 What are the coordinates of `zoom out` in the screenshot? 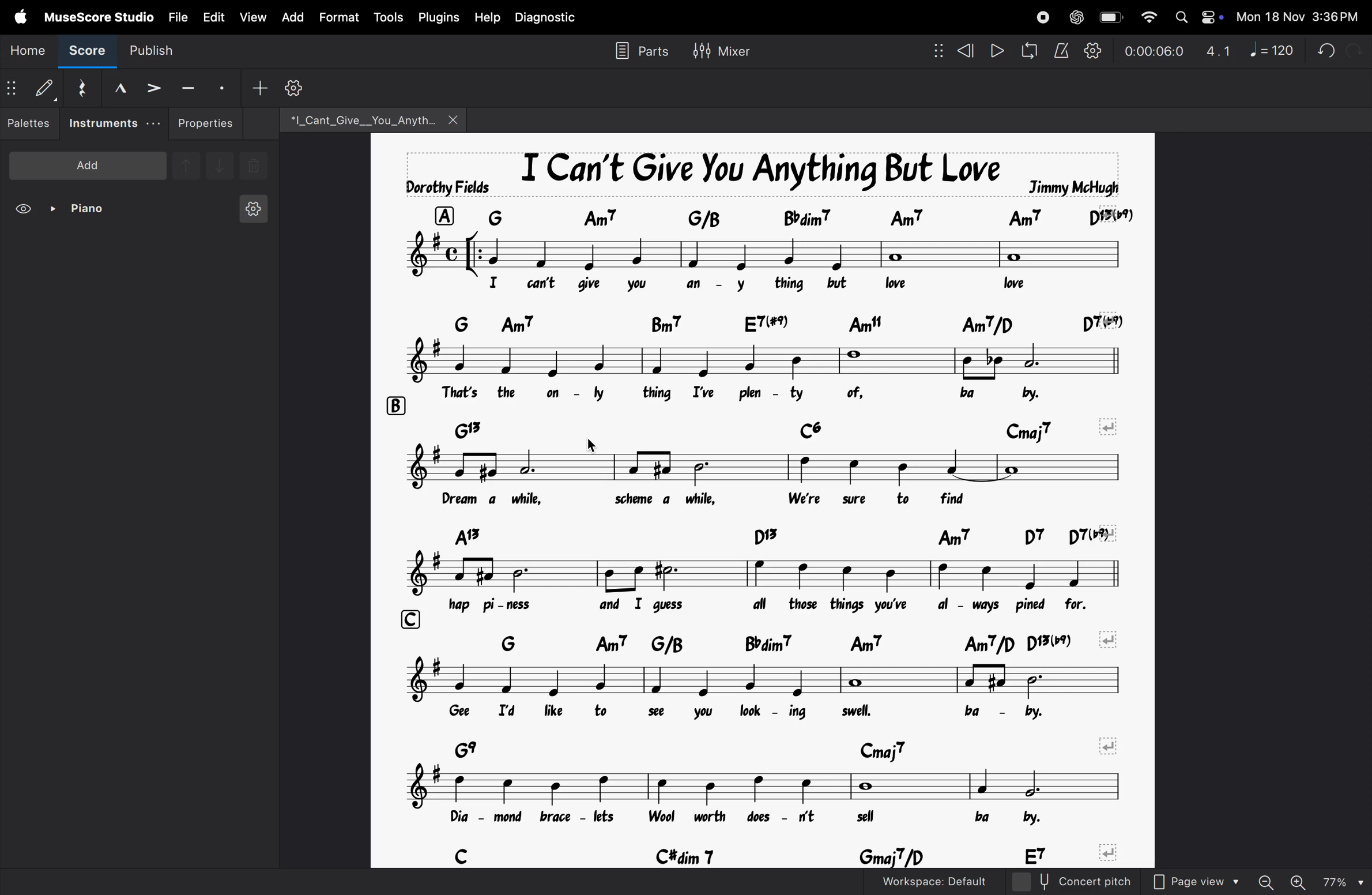 It's located at (1265, 881).